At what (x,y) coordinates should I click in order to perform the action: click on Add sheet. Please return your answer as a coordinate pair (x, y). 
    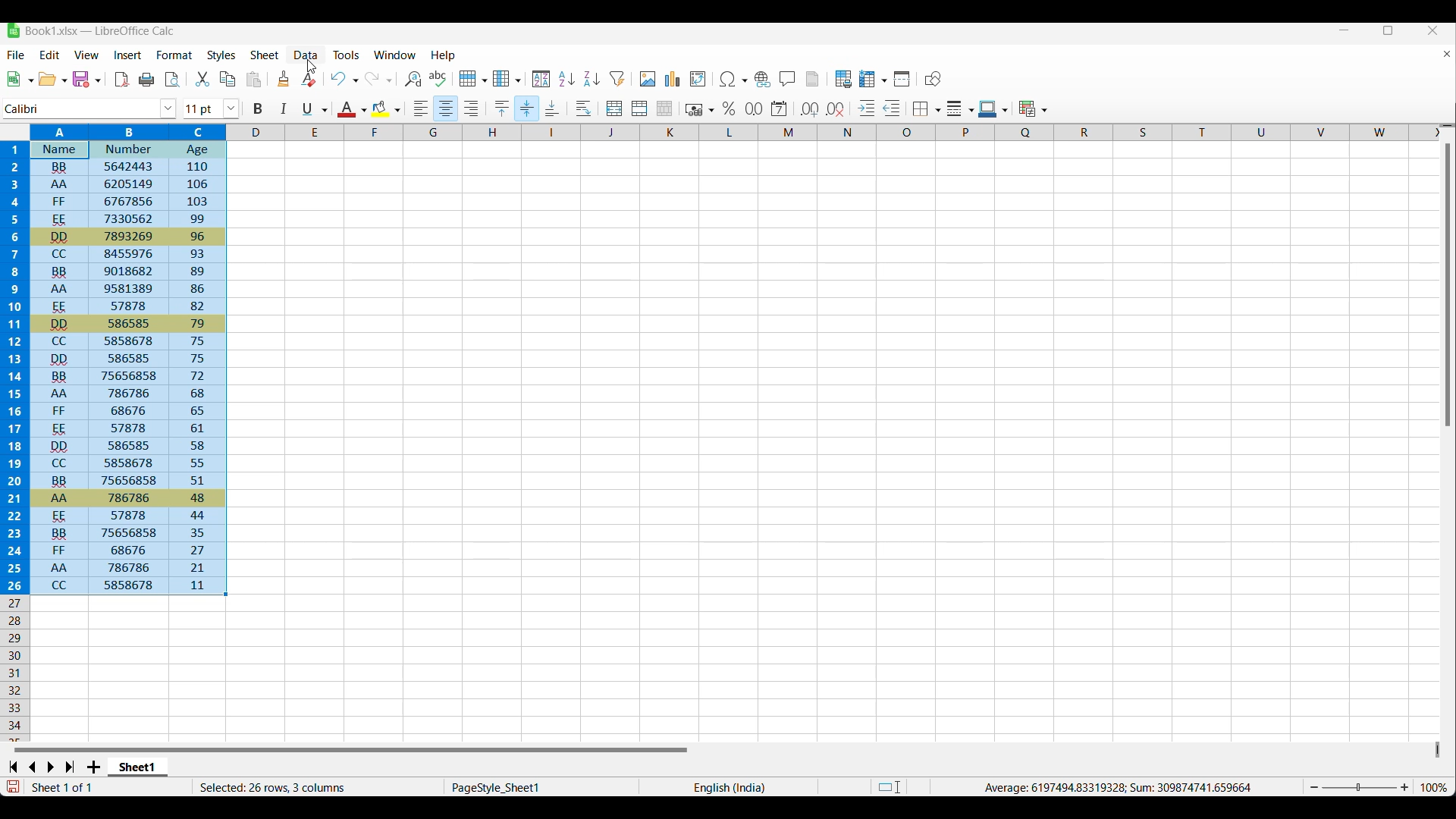
    Looking at the image, I should click on (93, 767).